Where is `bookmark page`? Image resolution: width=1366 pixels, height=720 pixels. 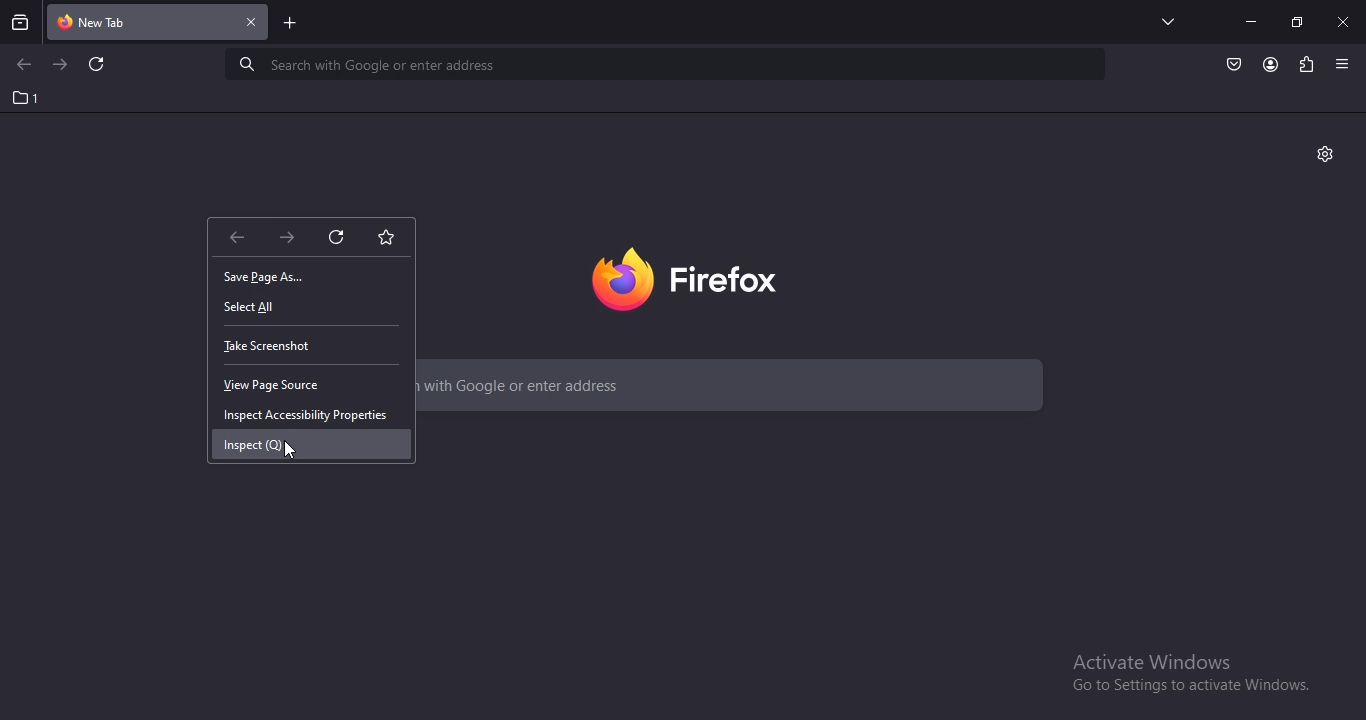 bookmark page is located at coordinates (389, 236).